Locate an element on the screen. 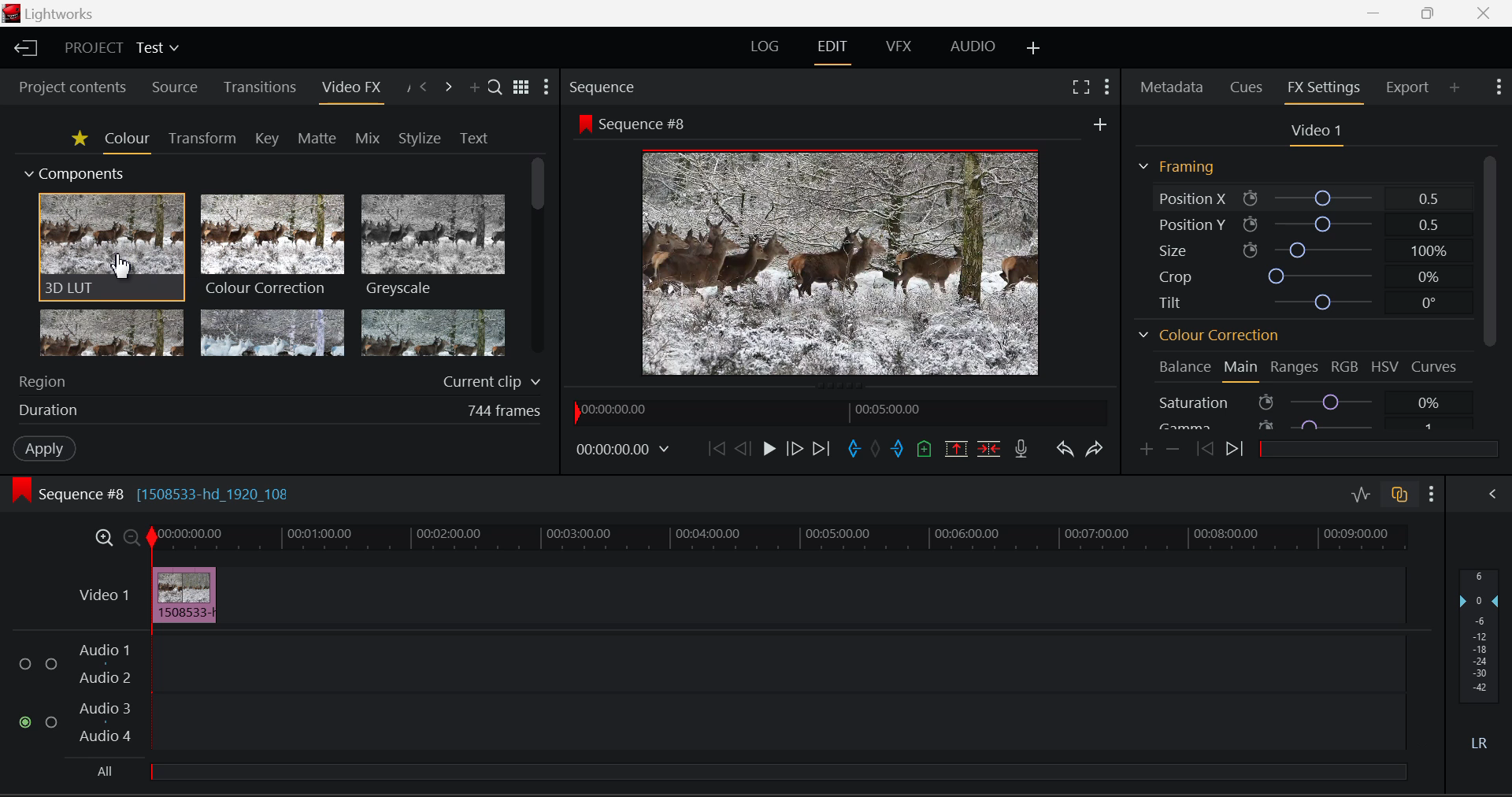 This screenshot has width=1512, height=797. Sequence Editing Section is located at coordinates (157, 495).